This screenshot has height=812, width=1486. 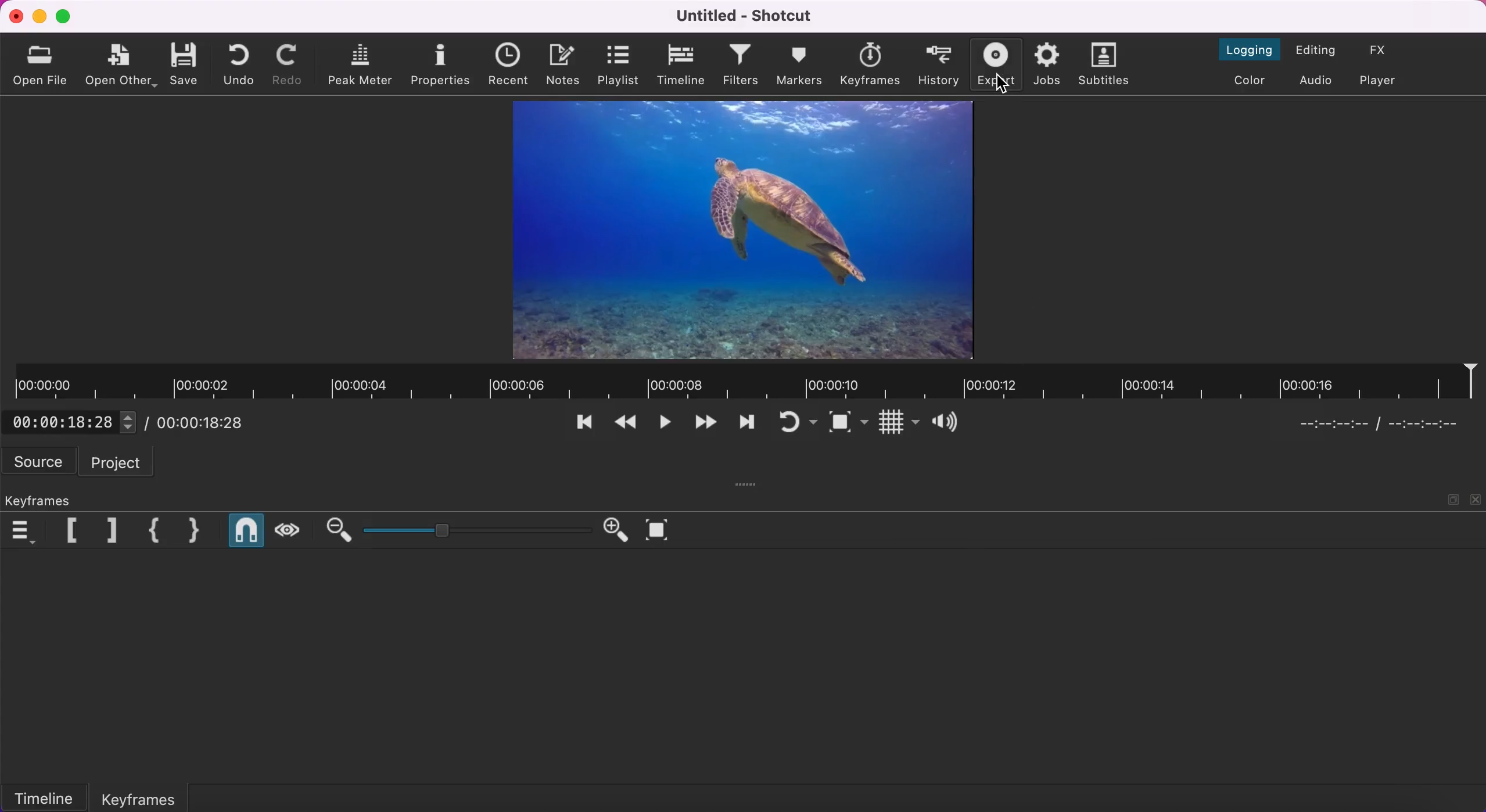 What do you see at coordinates (1244, 82) in the screenshot?
I see `switch to the color layout` at bounding box center [1244, 82].